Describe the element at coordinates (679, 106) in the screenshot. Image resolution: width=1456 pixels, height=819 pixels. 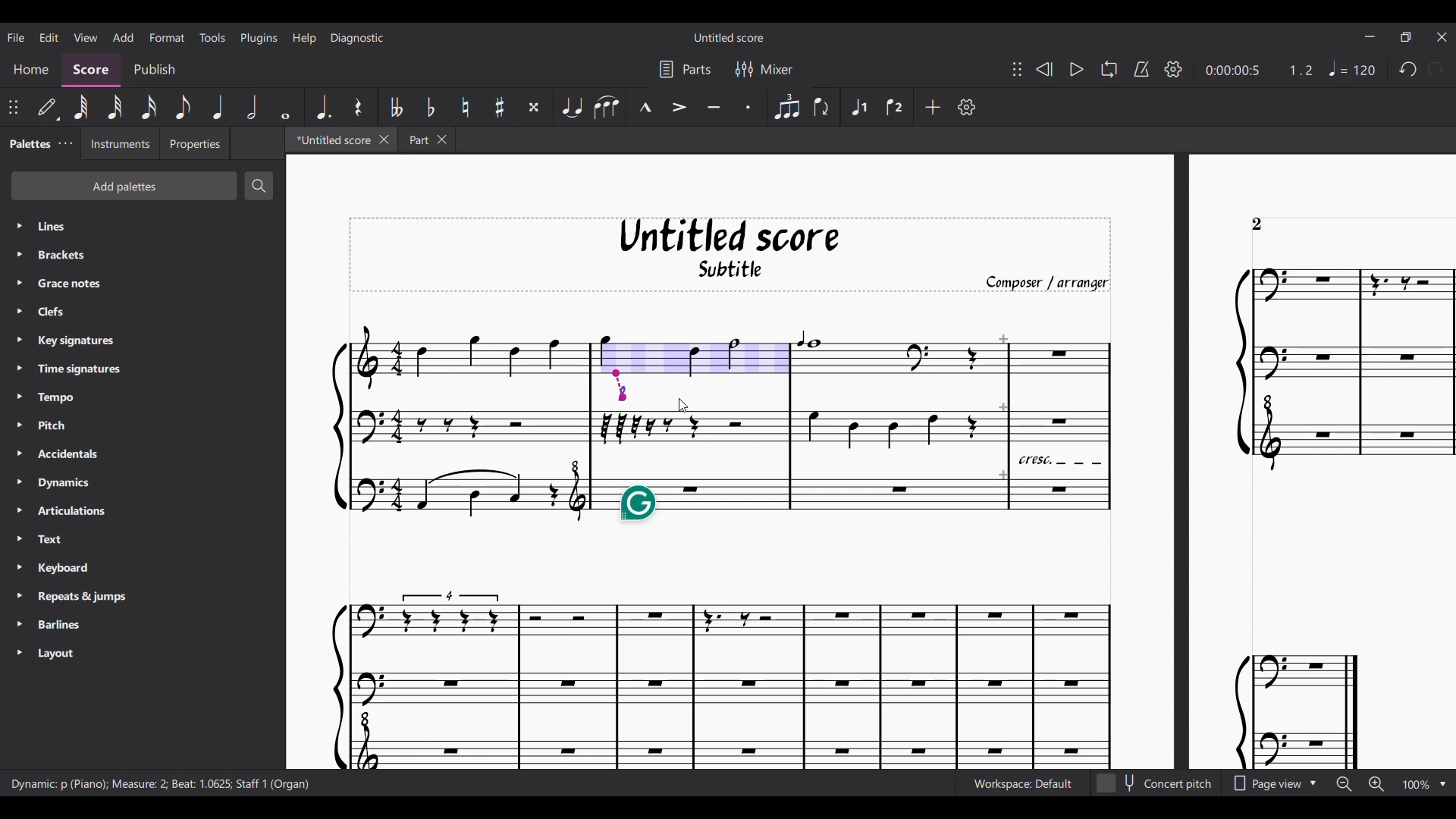
I see `Accent` at that location.